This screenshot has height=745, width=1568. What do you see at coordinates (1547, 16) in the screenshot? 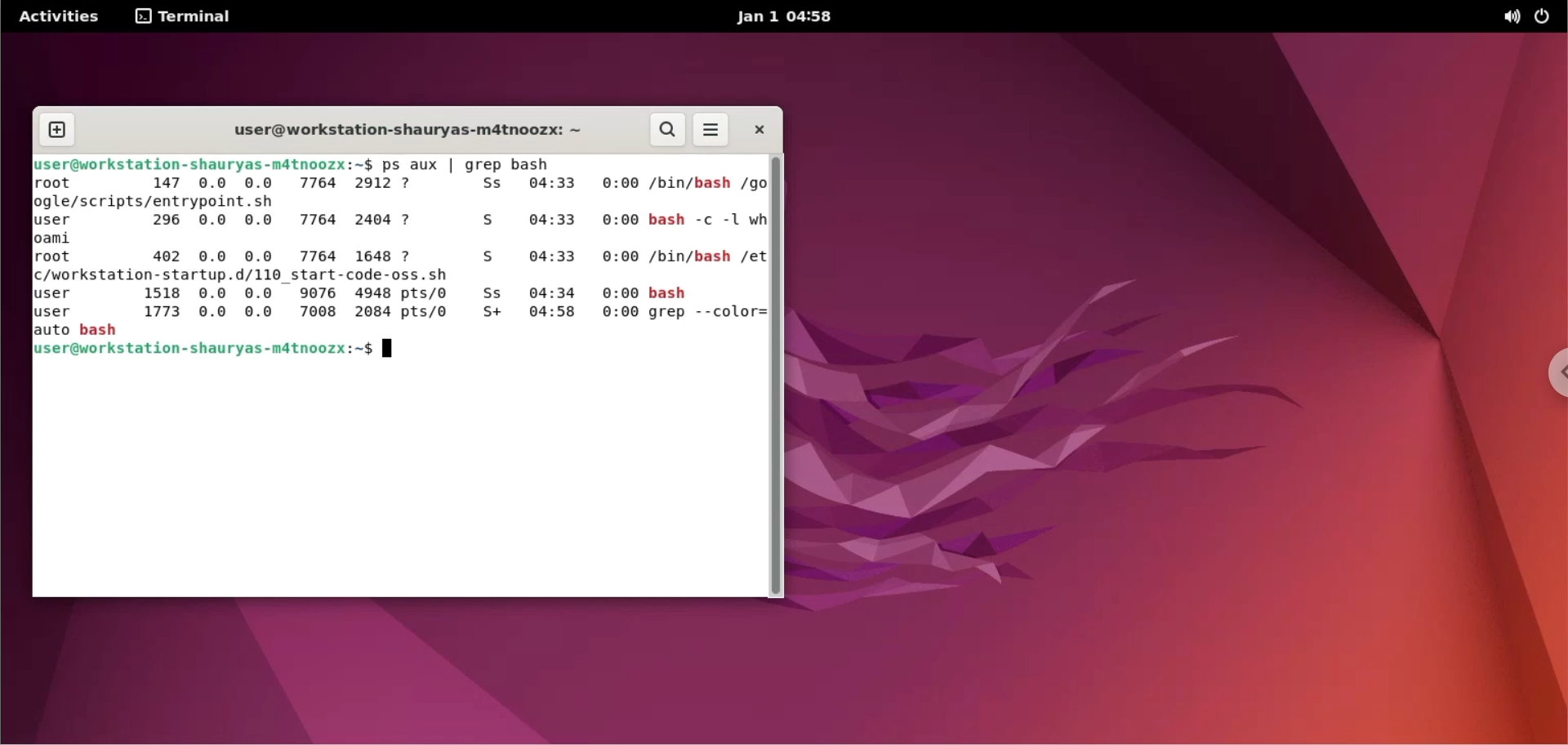
I see `power options` at bounding box center [1547, 16].